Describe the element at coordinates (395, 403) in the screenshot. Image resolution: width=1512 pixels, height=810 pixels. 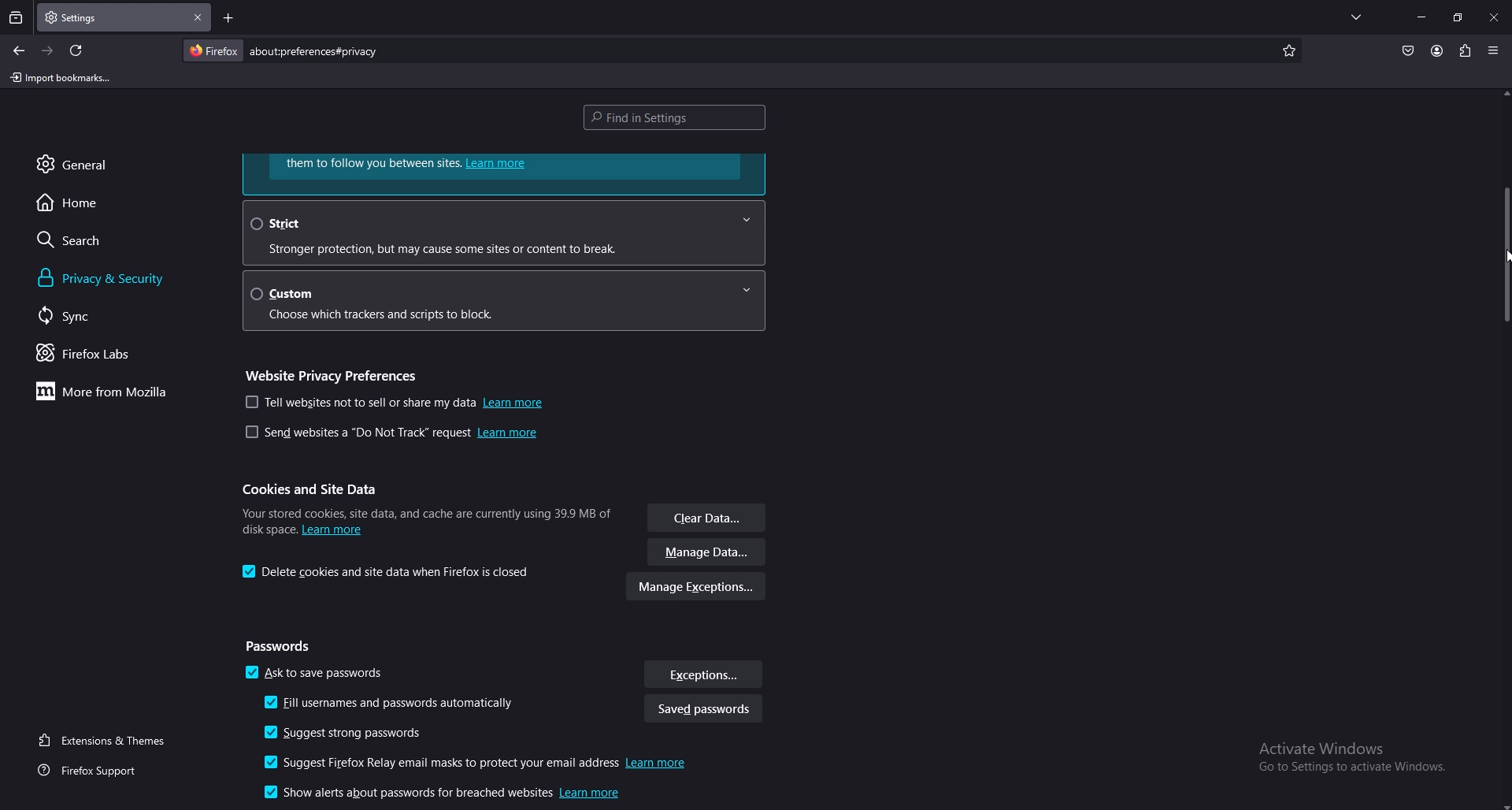
I see `tell websites not to sell my data` at that location.